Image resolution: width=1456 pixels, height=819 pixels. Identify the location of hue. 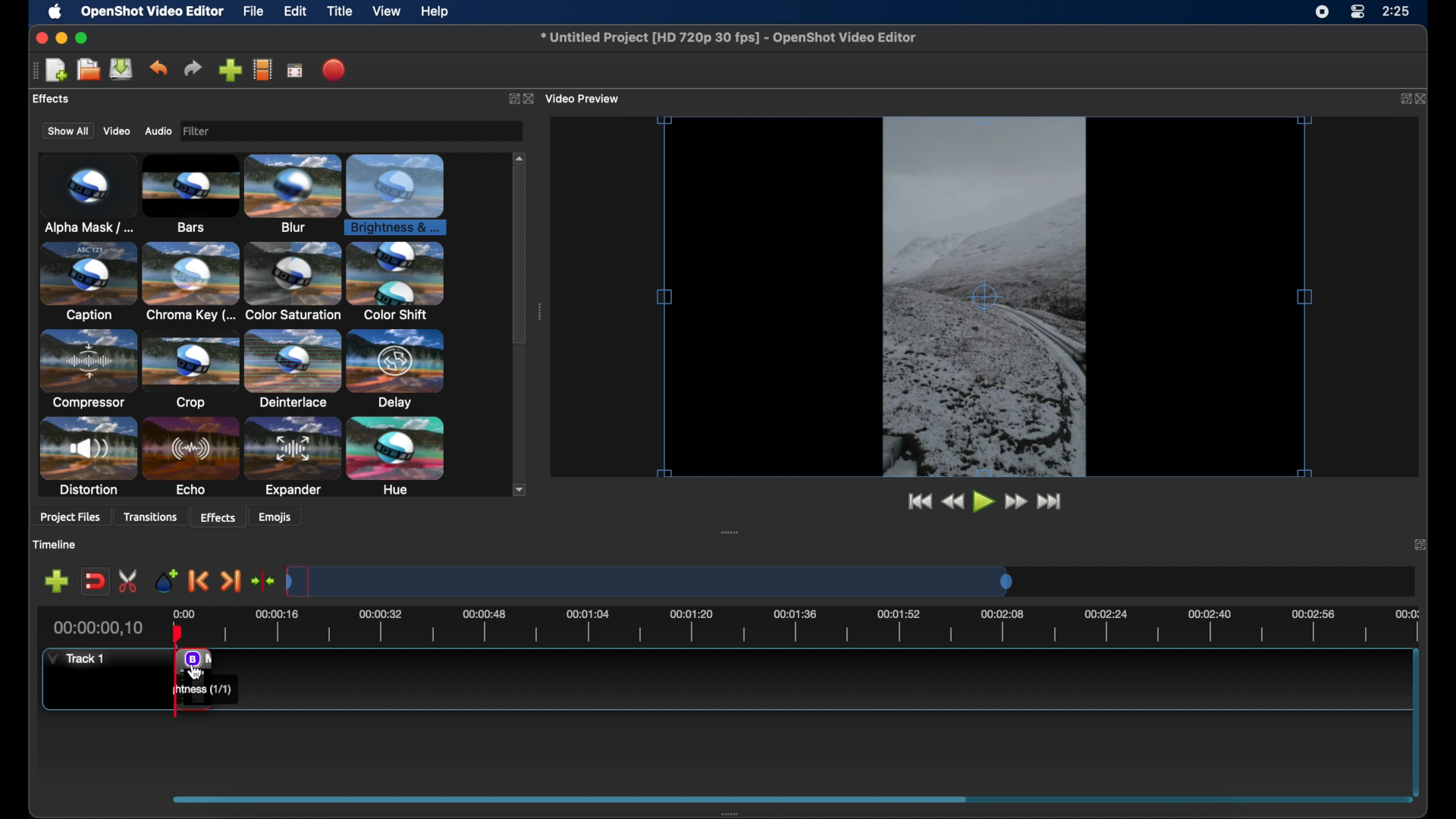
(396, 457).